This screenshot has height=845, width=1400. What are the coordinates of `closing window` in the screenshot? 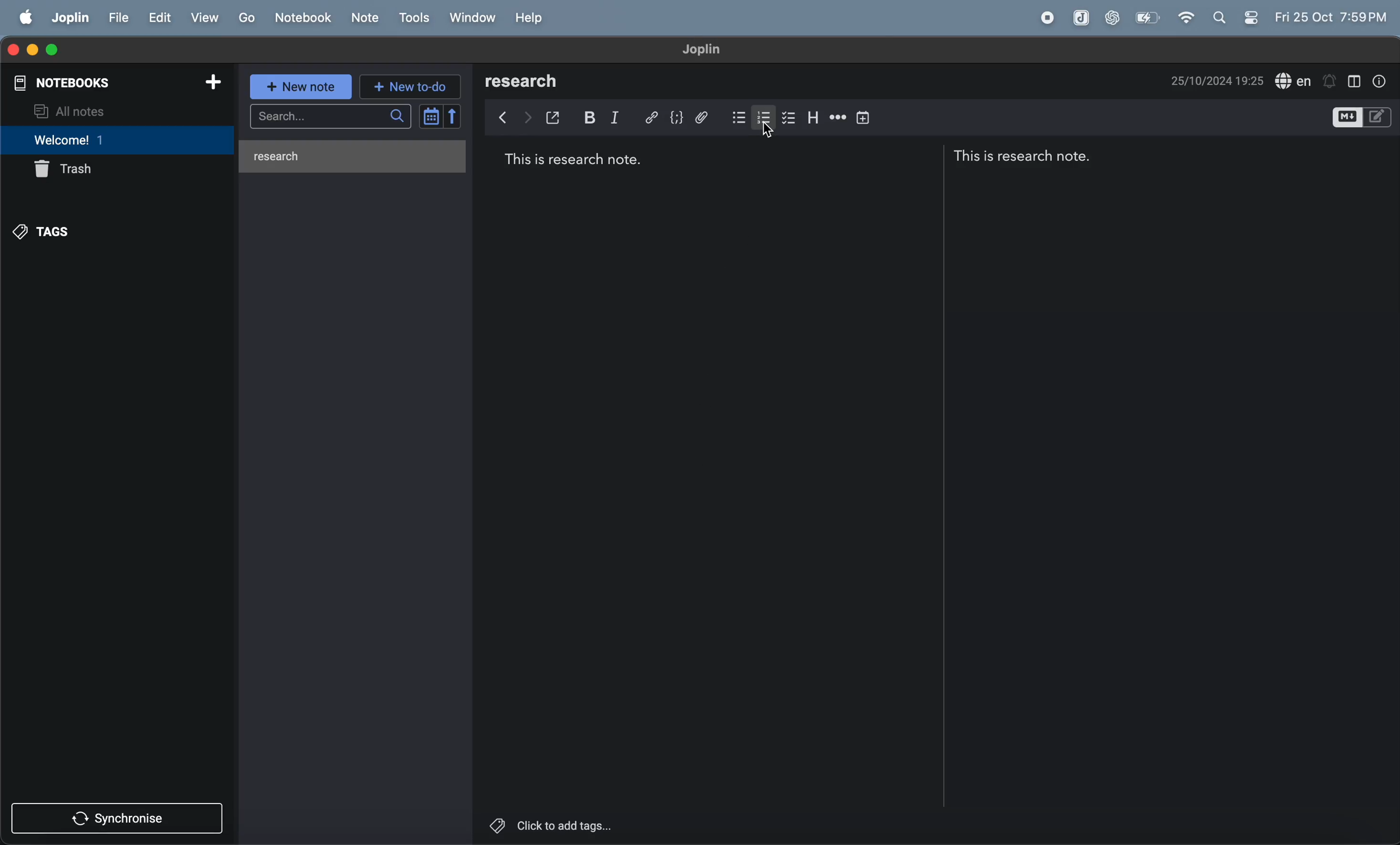 It's located at (12, 48).